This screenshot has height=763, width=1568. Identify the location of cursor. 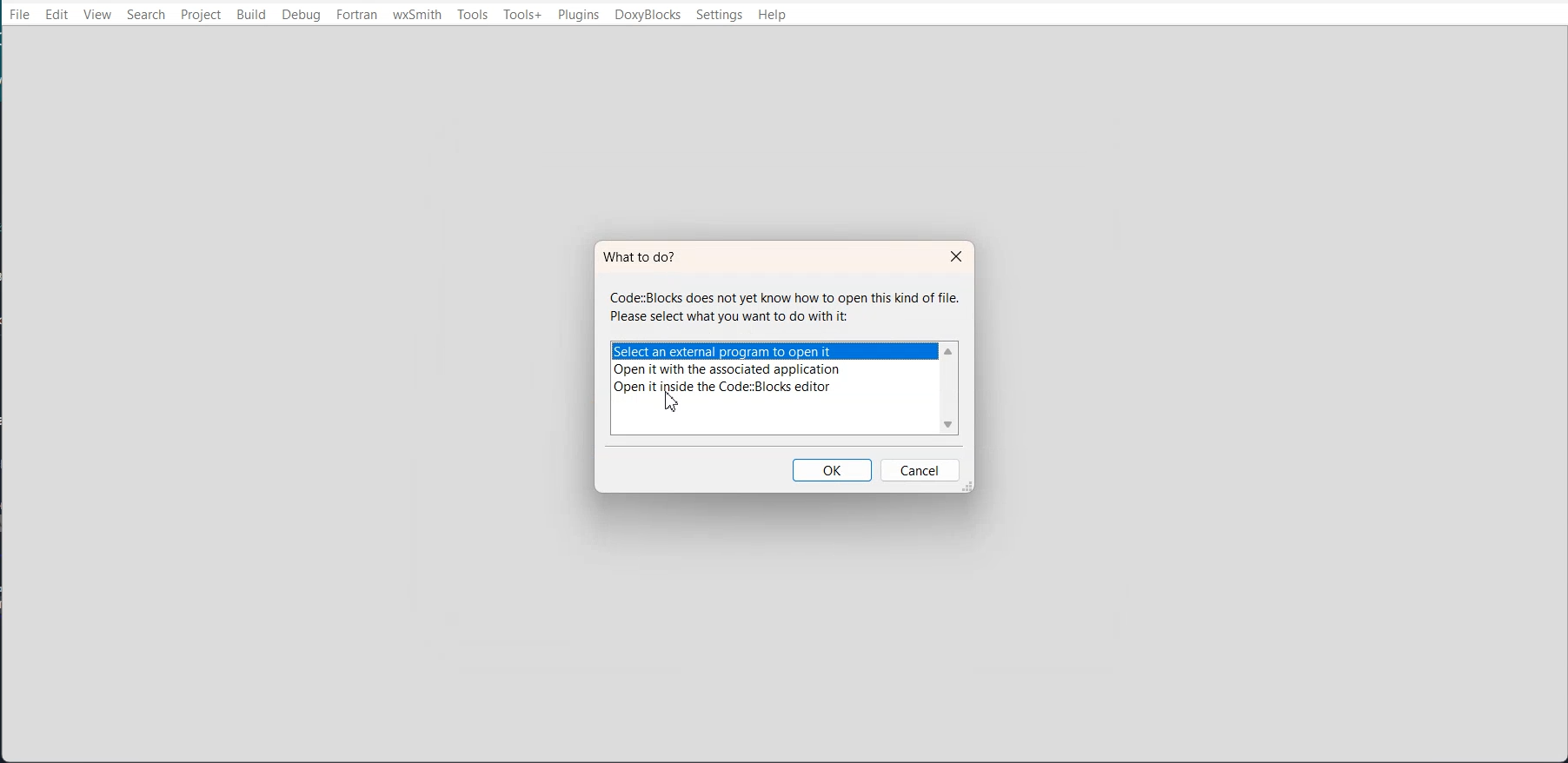
(671, 400).